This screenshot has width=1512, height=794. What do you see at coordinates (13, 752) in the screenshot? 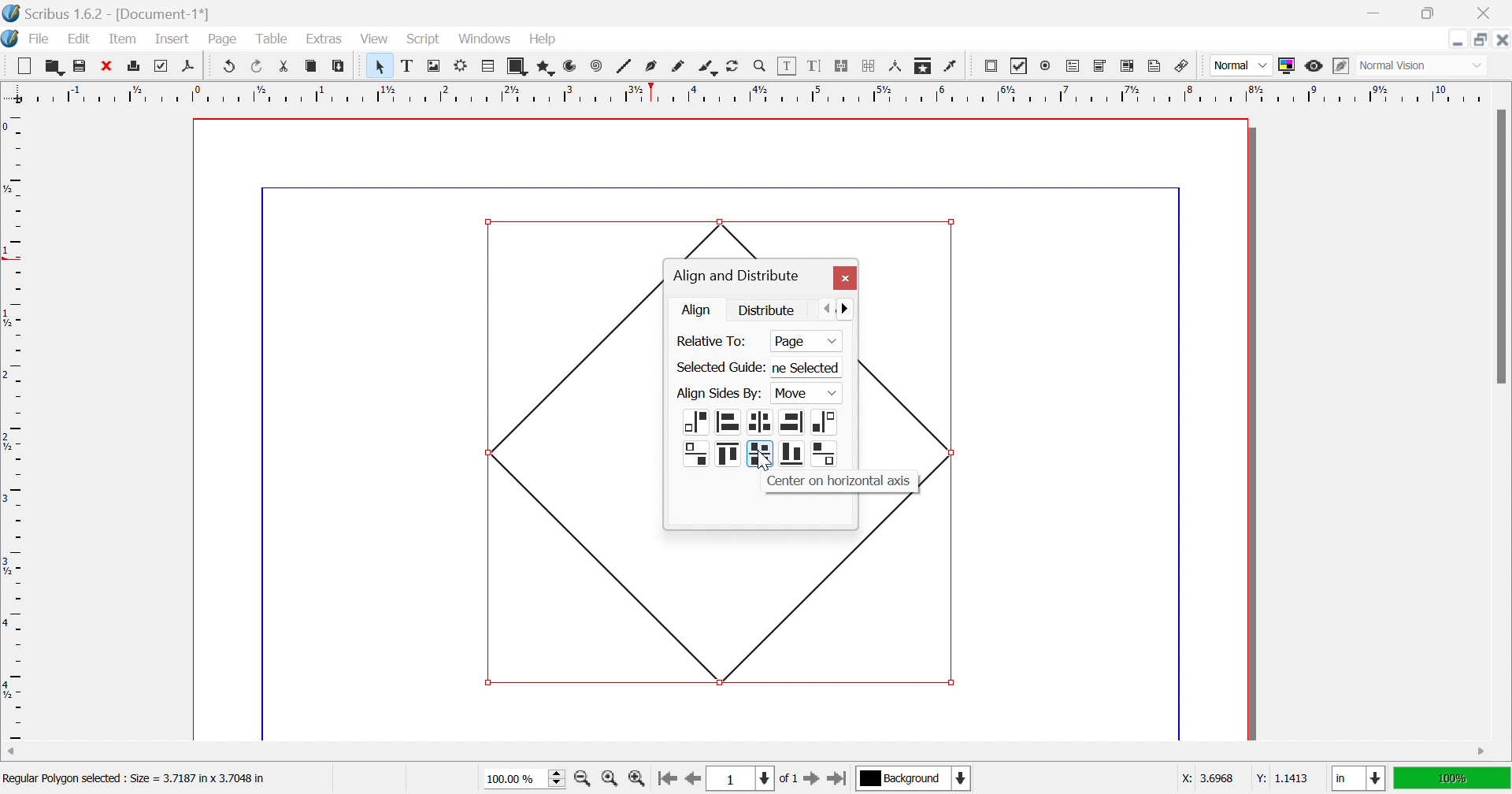
I see `Scroll left` at bounding box center [13, 752].